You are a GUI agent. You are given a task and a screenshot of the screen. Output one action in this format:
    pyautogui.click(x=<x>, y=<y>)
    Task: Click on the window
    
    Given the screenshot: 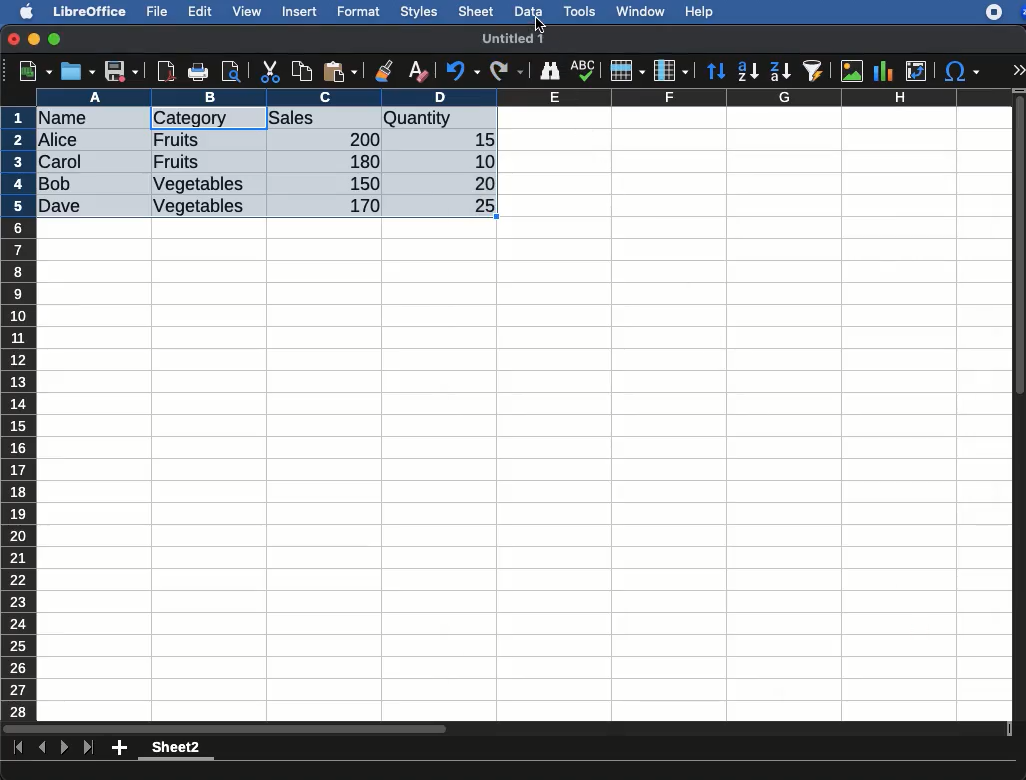 What is the action you would take?
    pyautogui.click(x=638, y=11)
    